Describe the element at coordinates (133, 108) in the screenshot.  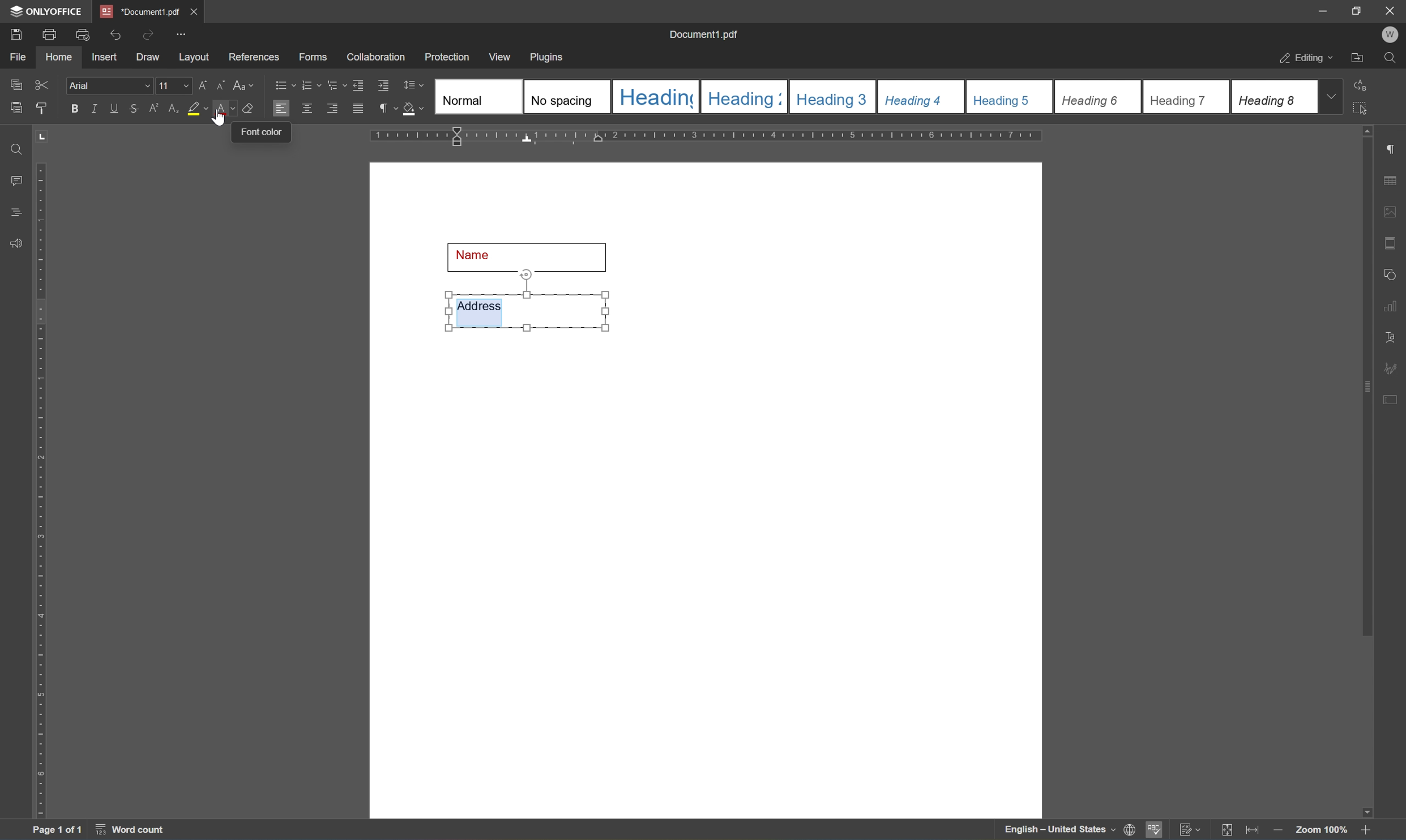
I see `strikethrough` at that location.